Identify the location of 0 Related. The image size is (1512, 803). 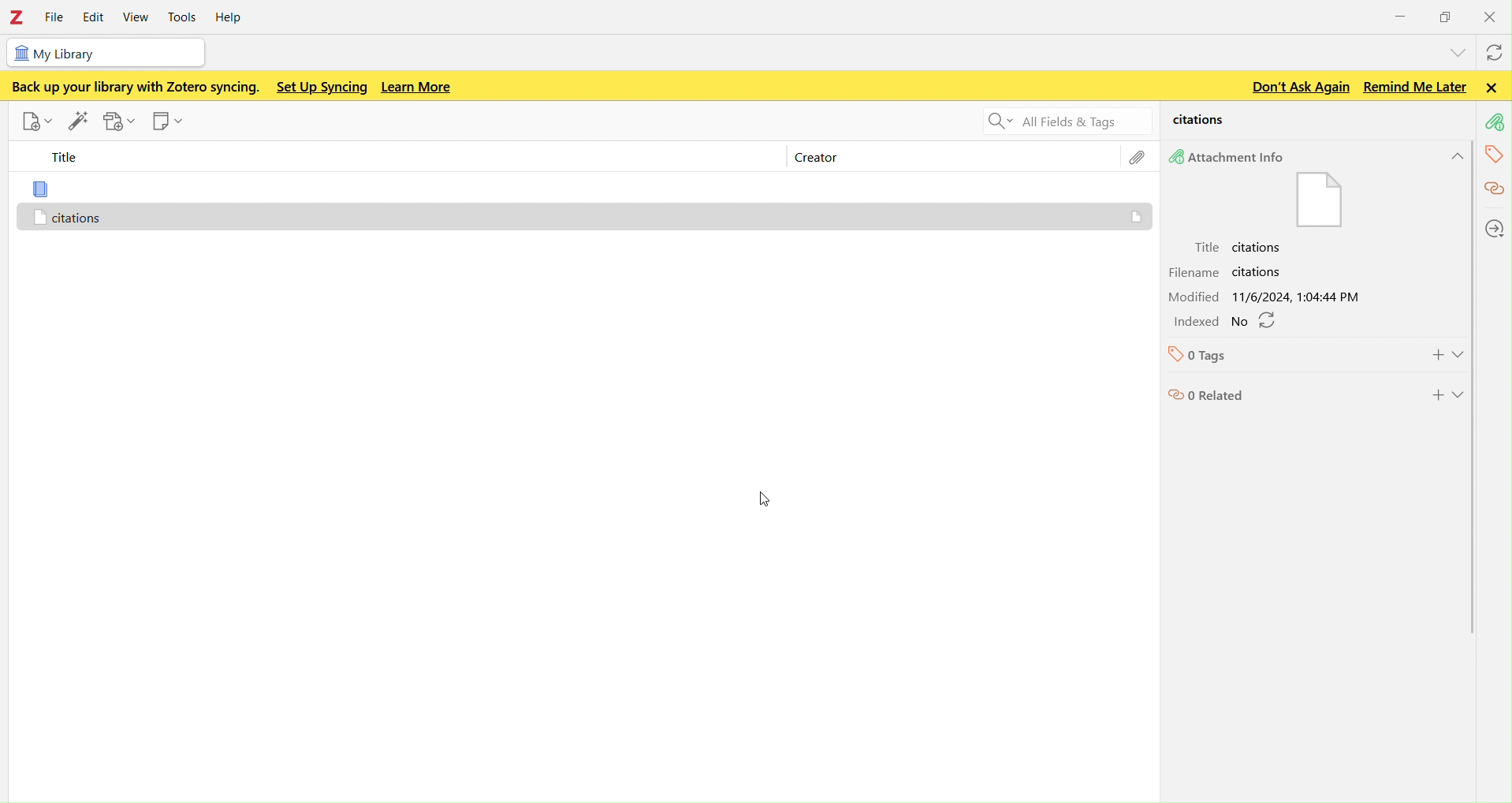
(1215, 397).